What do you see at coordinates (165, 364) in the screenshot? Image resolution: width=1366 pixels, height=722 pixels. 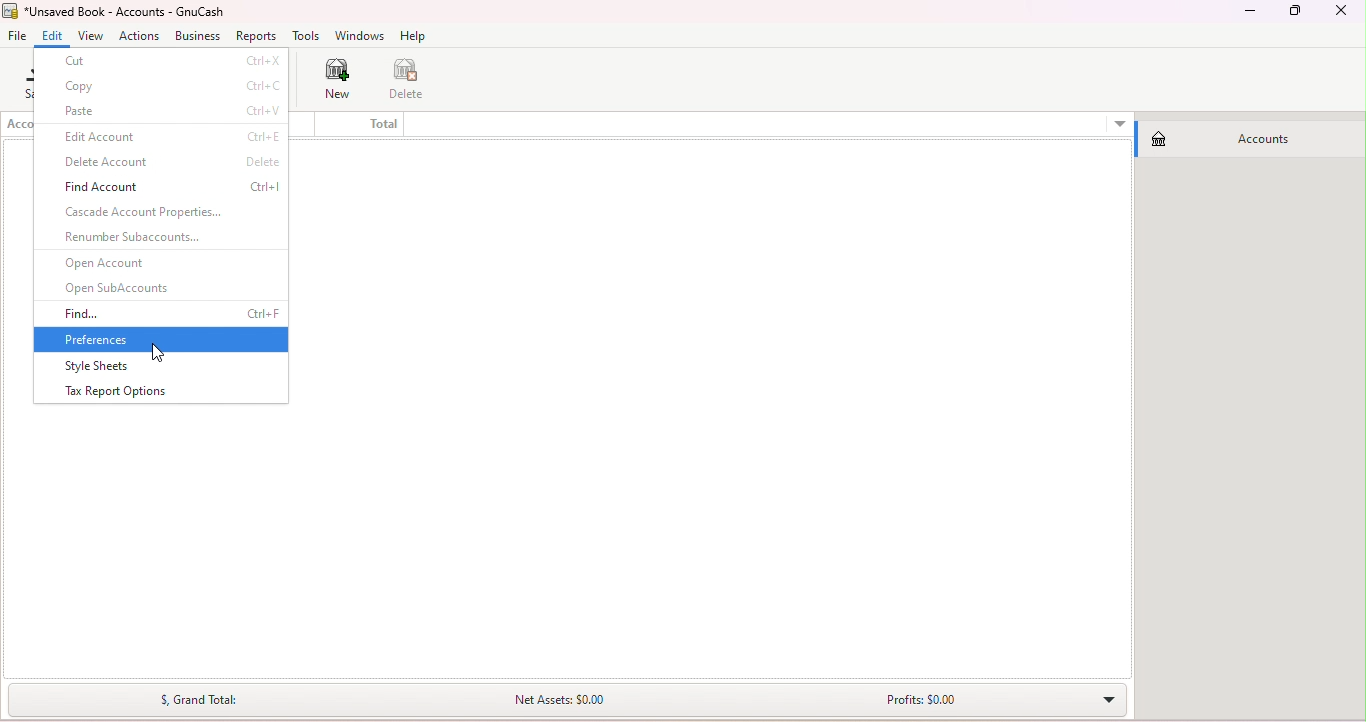 I see `Style sheets` at bounding box center [165, 364].